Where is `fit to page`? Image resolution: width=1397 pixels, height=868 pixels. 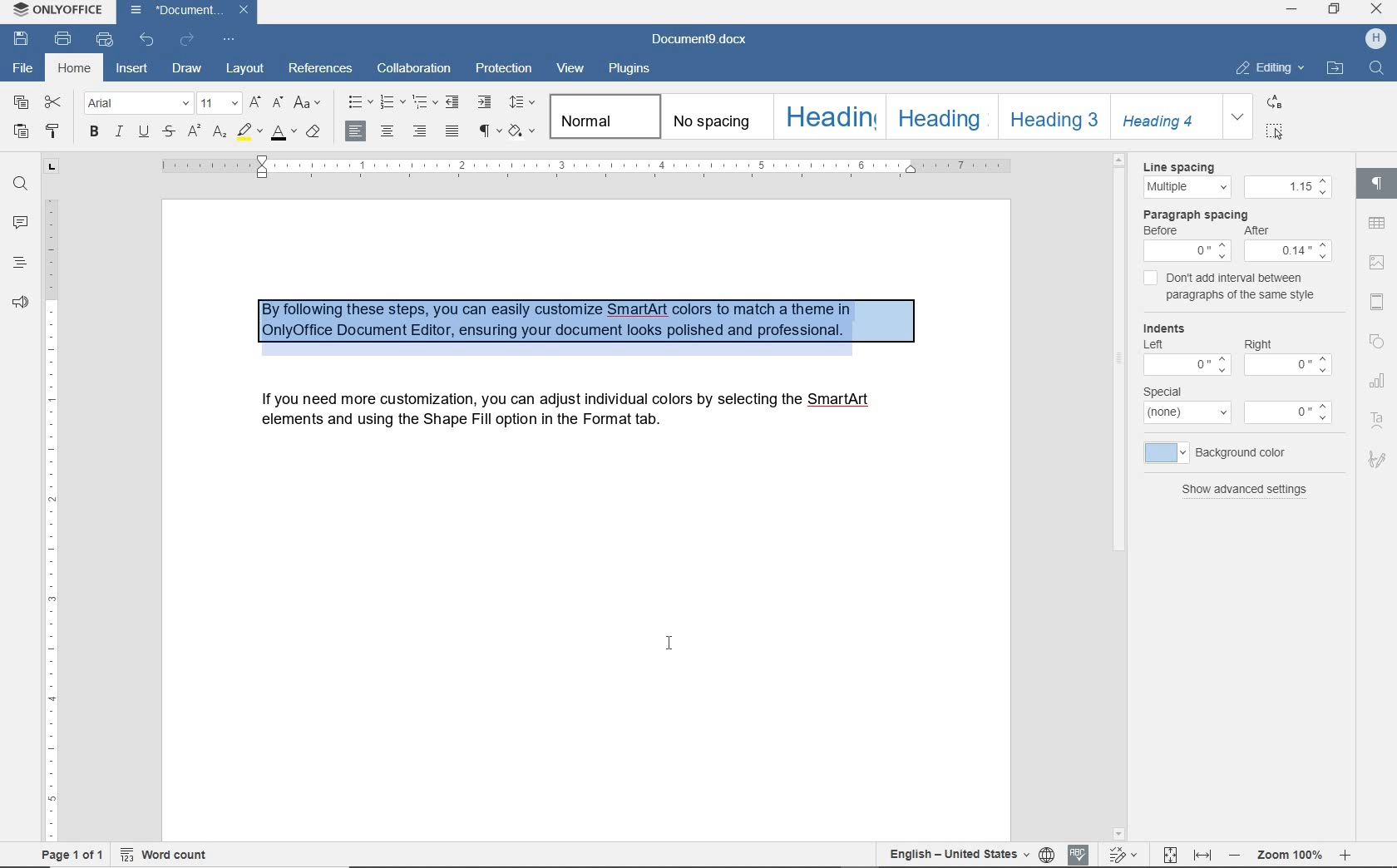 fit to page is located at coordinates (1172, 852).